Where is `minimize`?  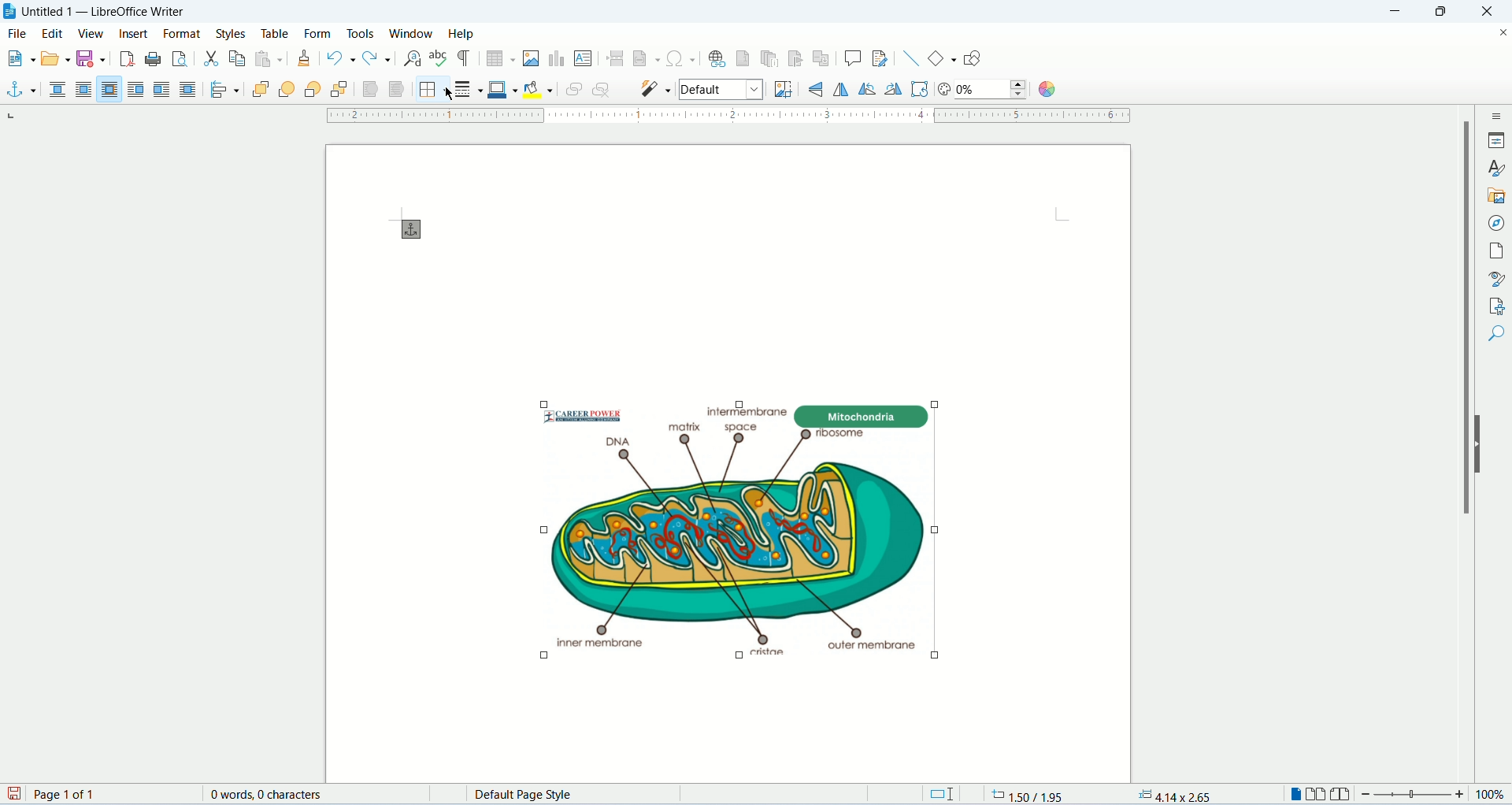 minimize is located at coordinates (1398, 12).